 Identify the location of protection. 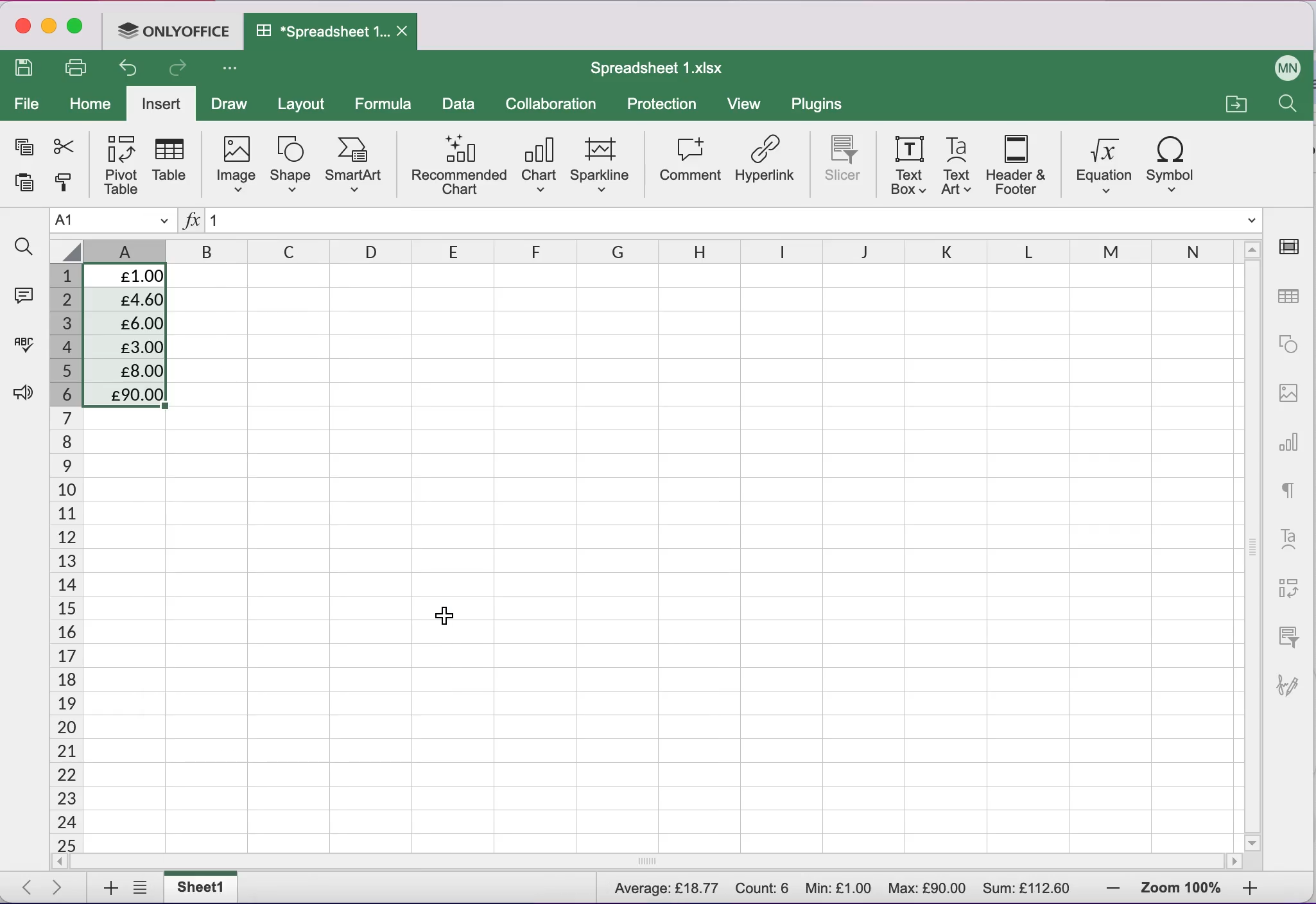
(661, 105).